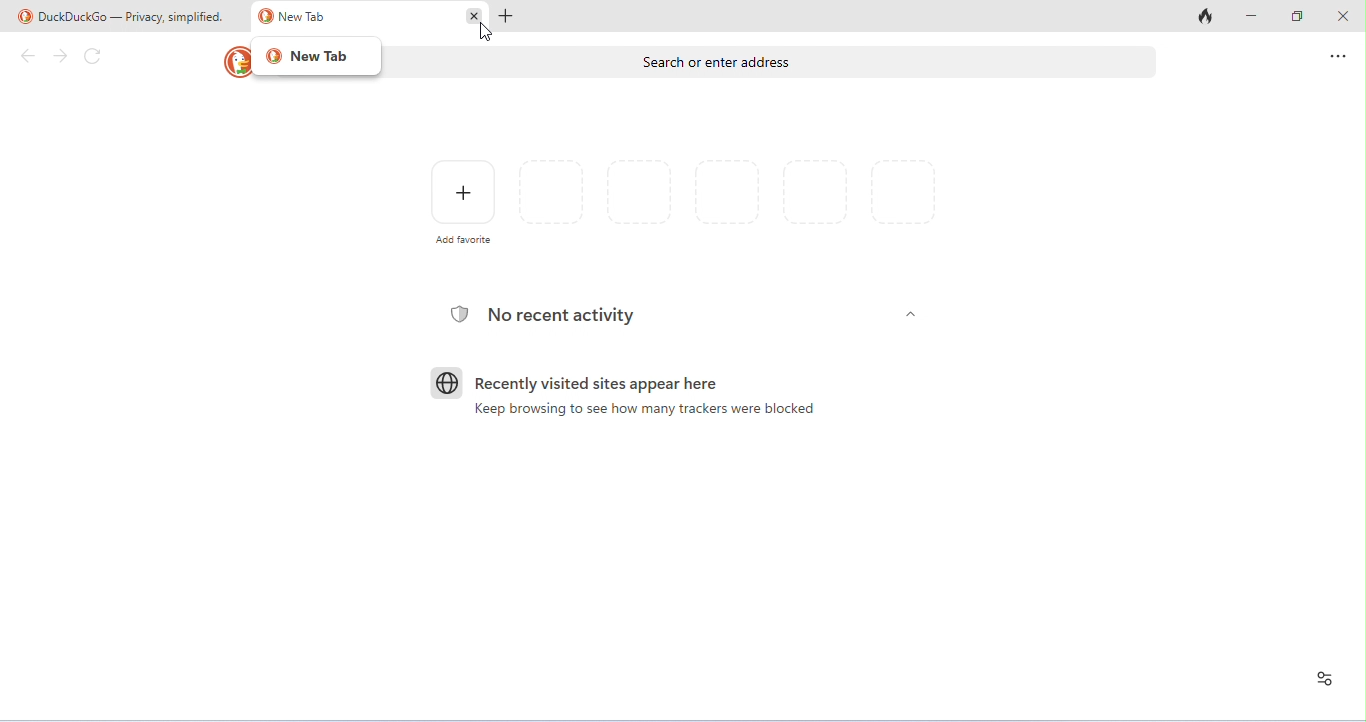  I want to click on favorites and recently visited pages, so click(553, 191).